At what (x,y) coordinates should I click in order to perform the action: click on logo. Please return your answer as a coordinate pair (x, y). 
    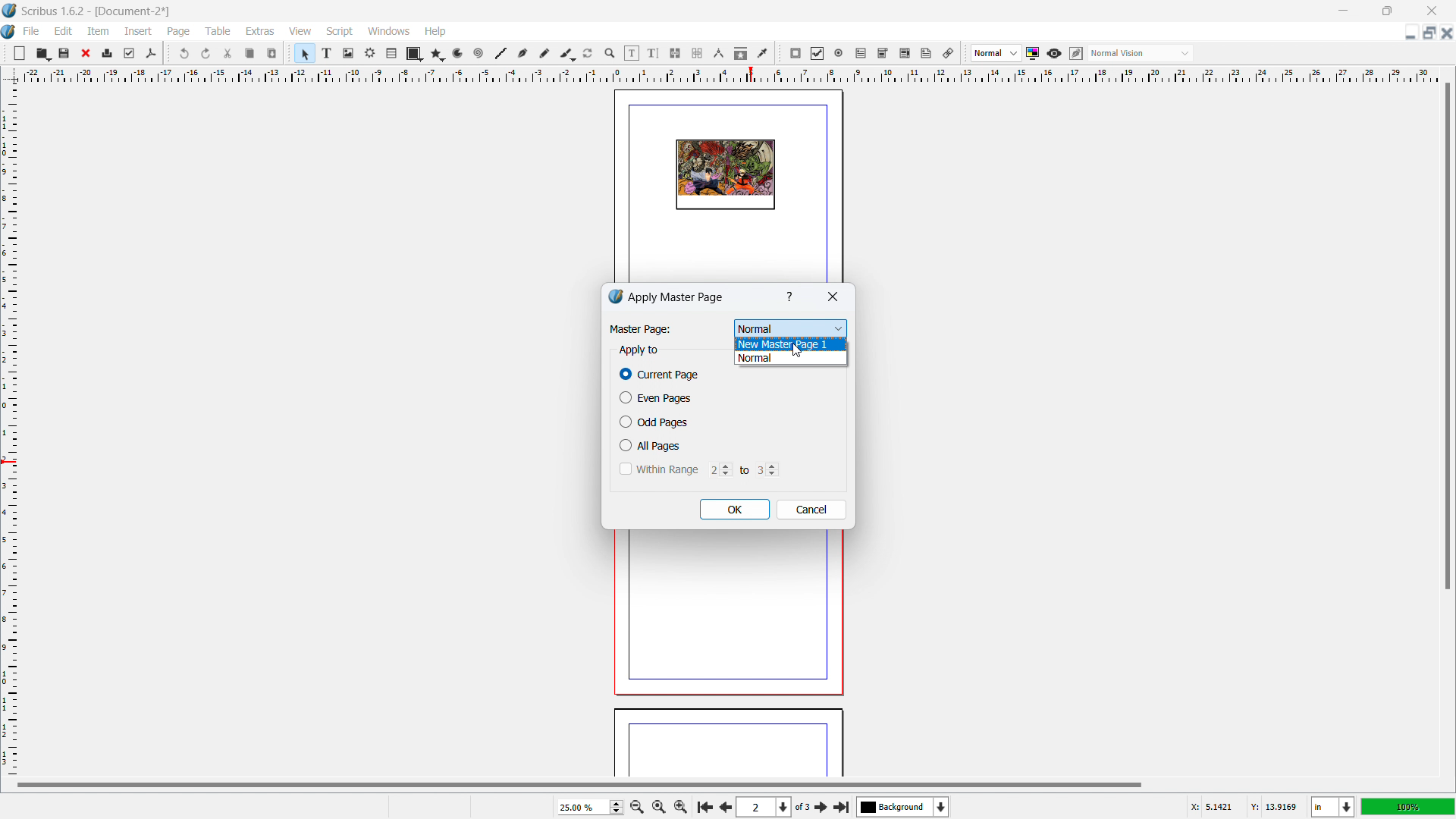
    Looking at the image, I should click on (9, 33).